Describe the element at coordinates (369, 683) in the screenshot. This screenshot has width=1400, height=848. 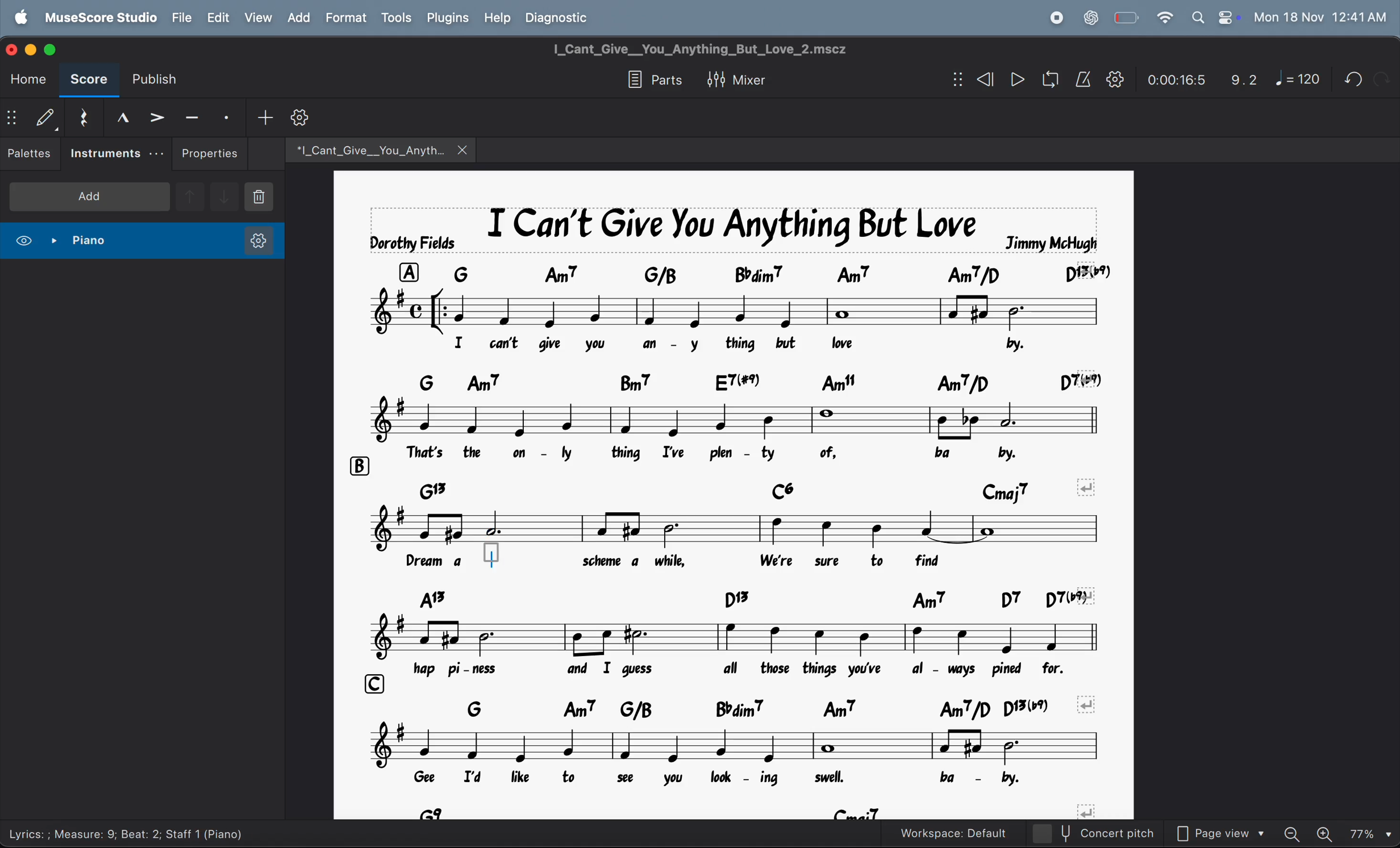
I see `row` at that location.